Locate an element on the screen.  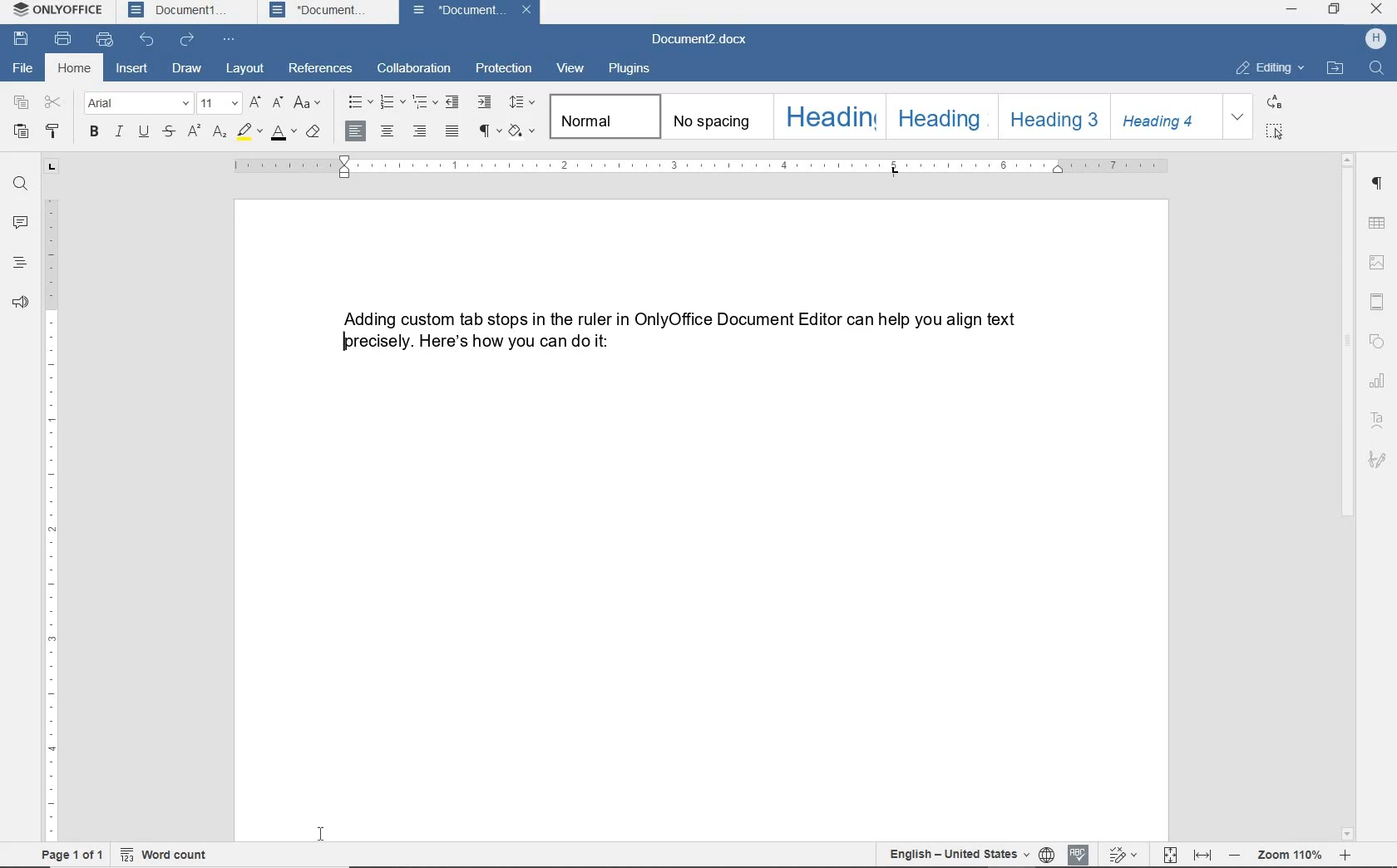
align center is located at coordinates (388, 131).